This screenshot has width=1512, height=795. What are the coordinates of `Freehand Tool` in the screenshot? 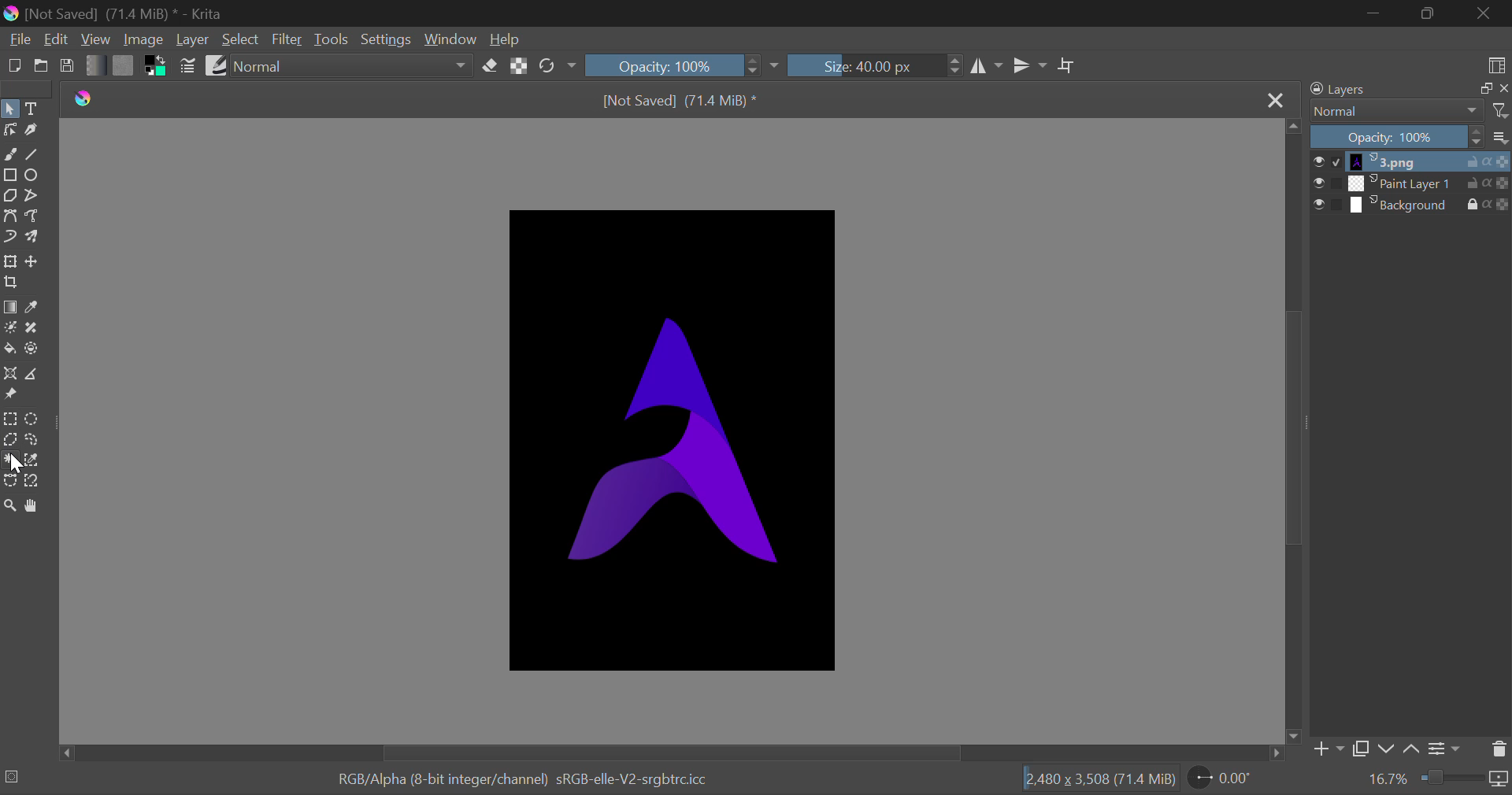 It's located at (30, 441).